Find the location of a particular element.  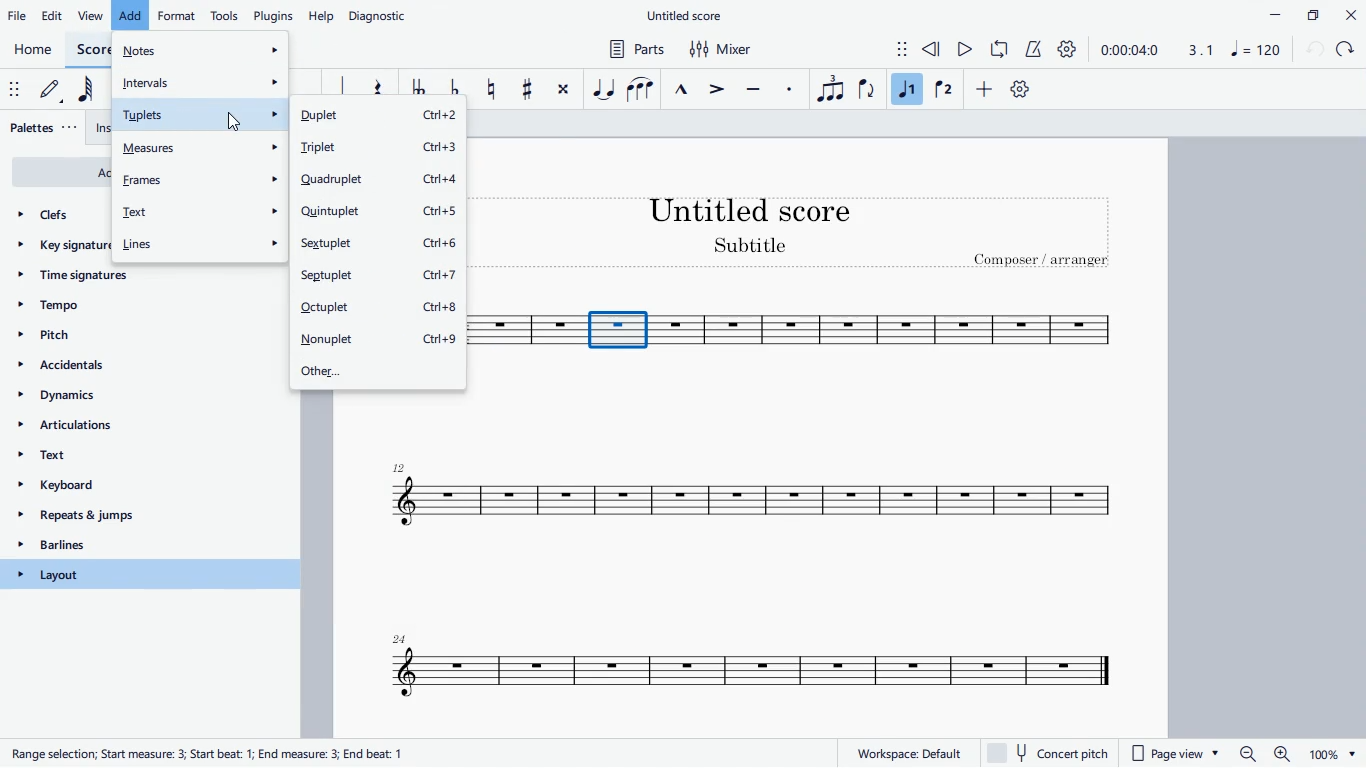

view is located at coordinates (91, 16).